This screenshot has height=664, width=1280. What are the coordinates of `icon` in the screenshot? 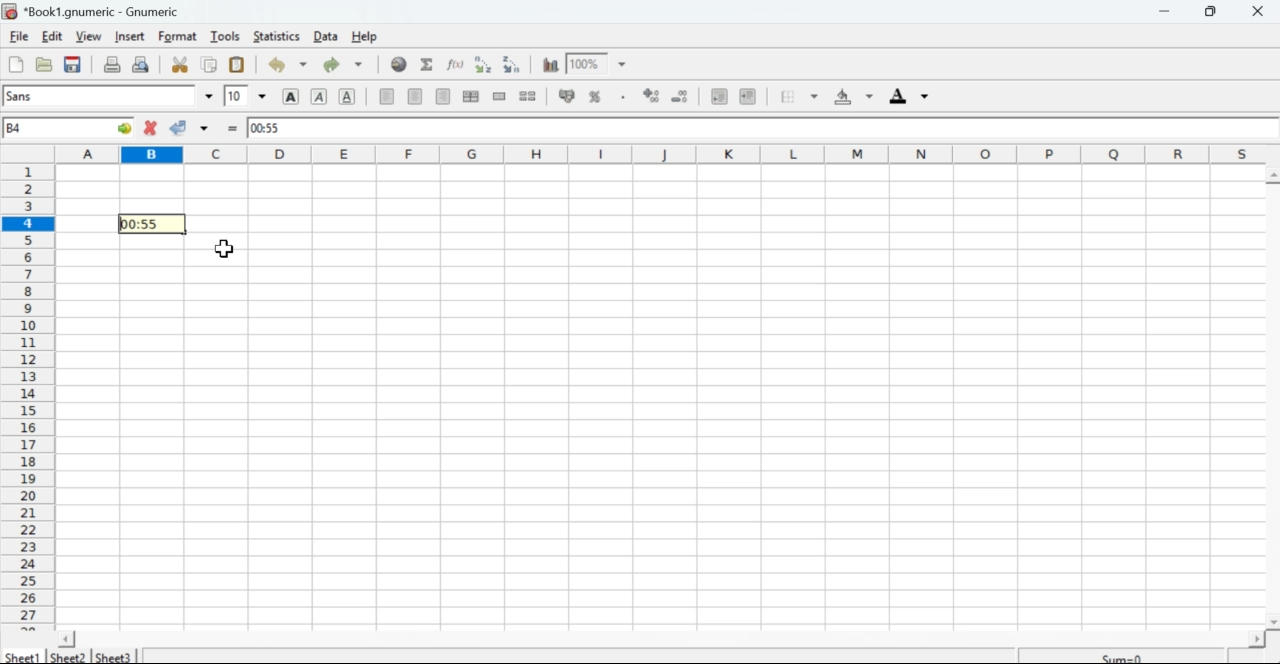 It's located at (565, 96).